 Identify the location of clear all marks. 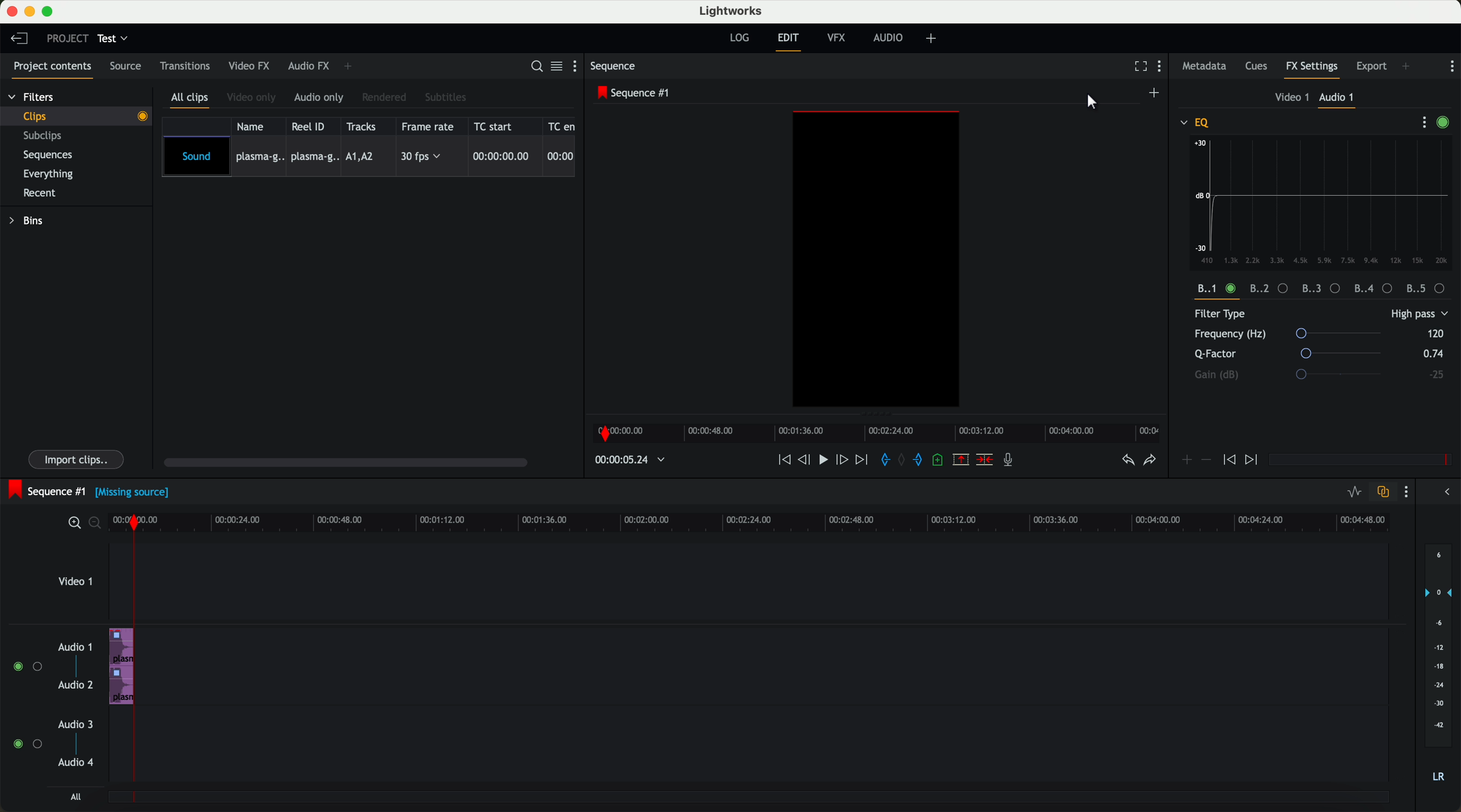
(903, 461).